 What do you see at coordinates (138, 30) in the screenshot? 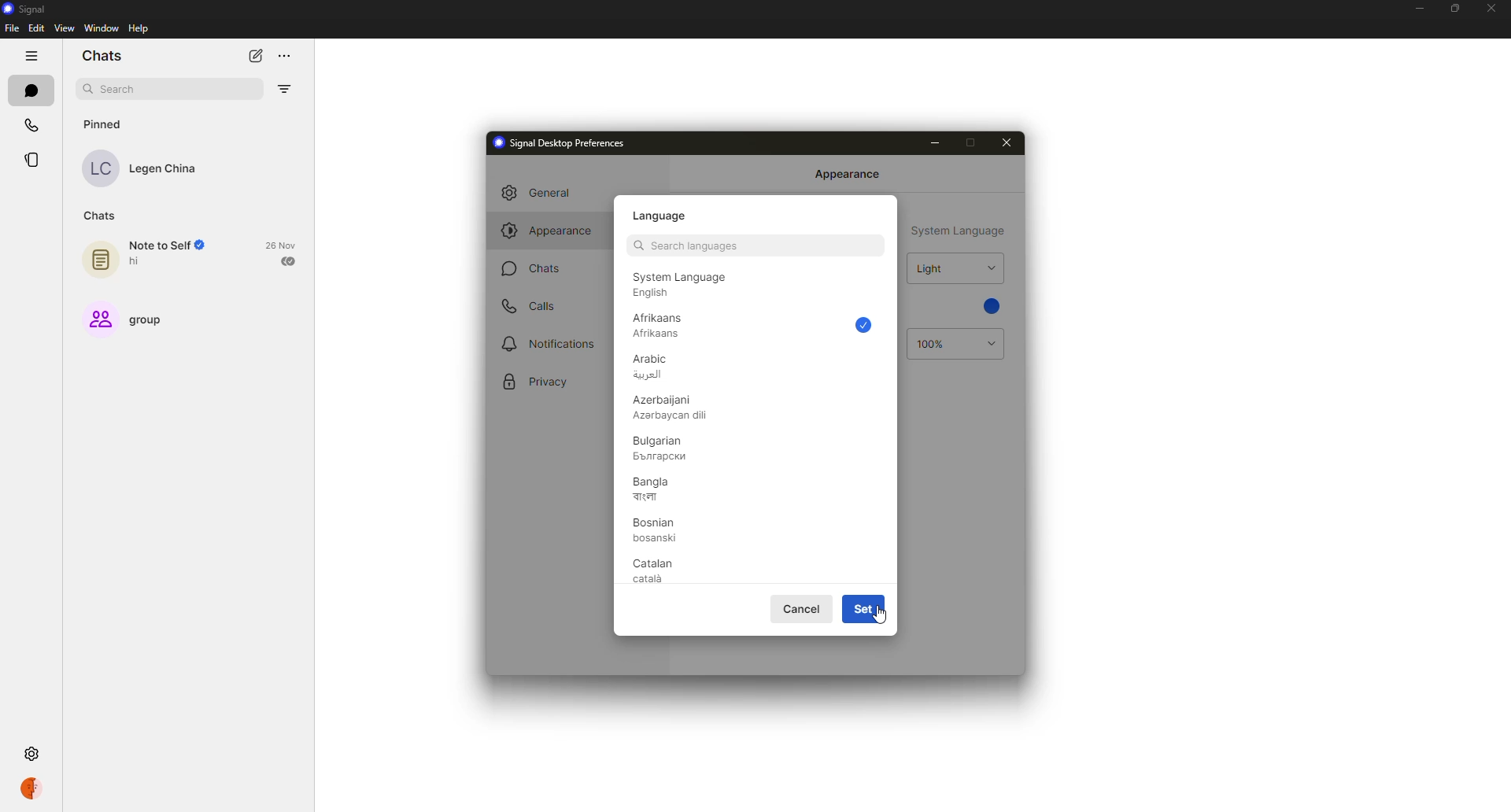
I see `help` at bounding box center [138, 30].